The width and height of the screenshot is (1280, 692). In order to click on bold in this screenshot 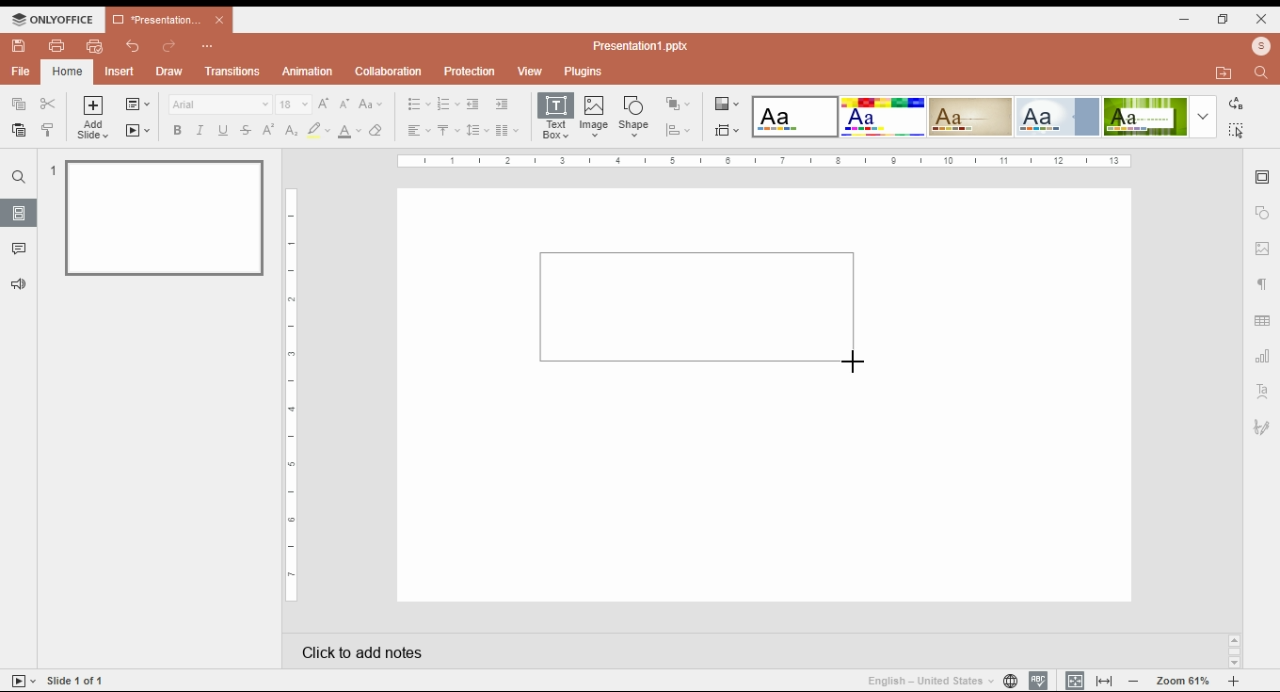, I will do `click(177, 130)`.